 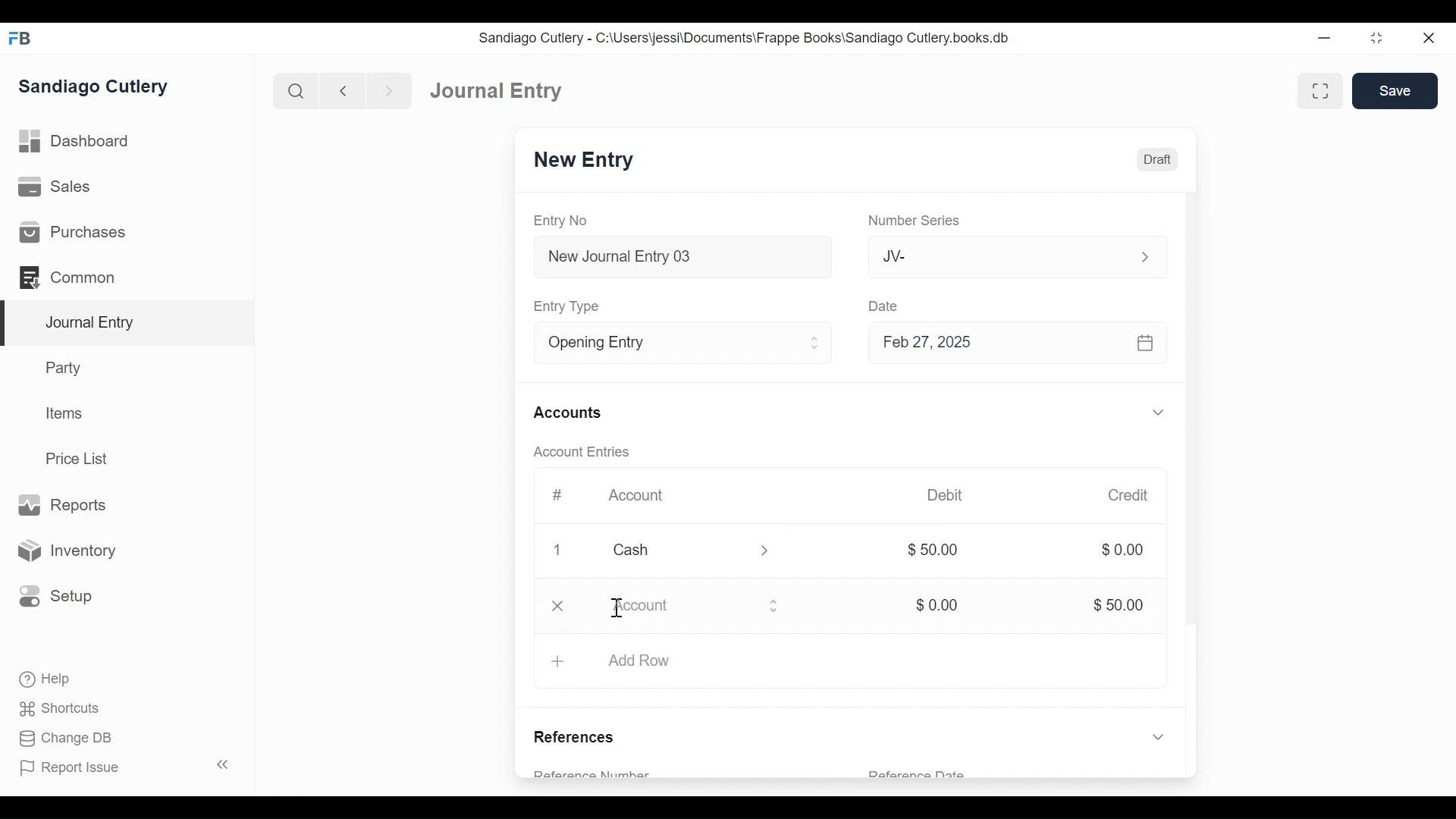 I want to click on Draft, so click(x=1156, y=161).